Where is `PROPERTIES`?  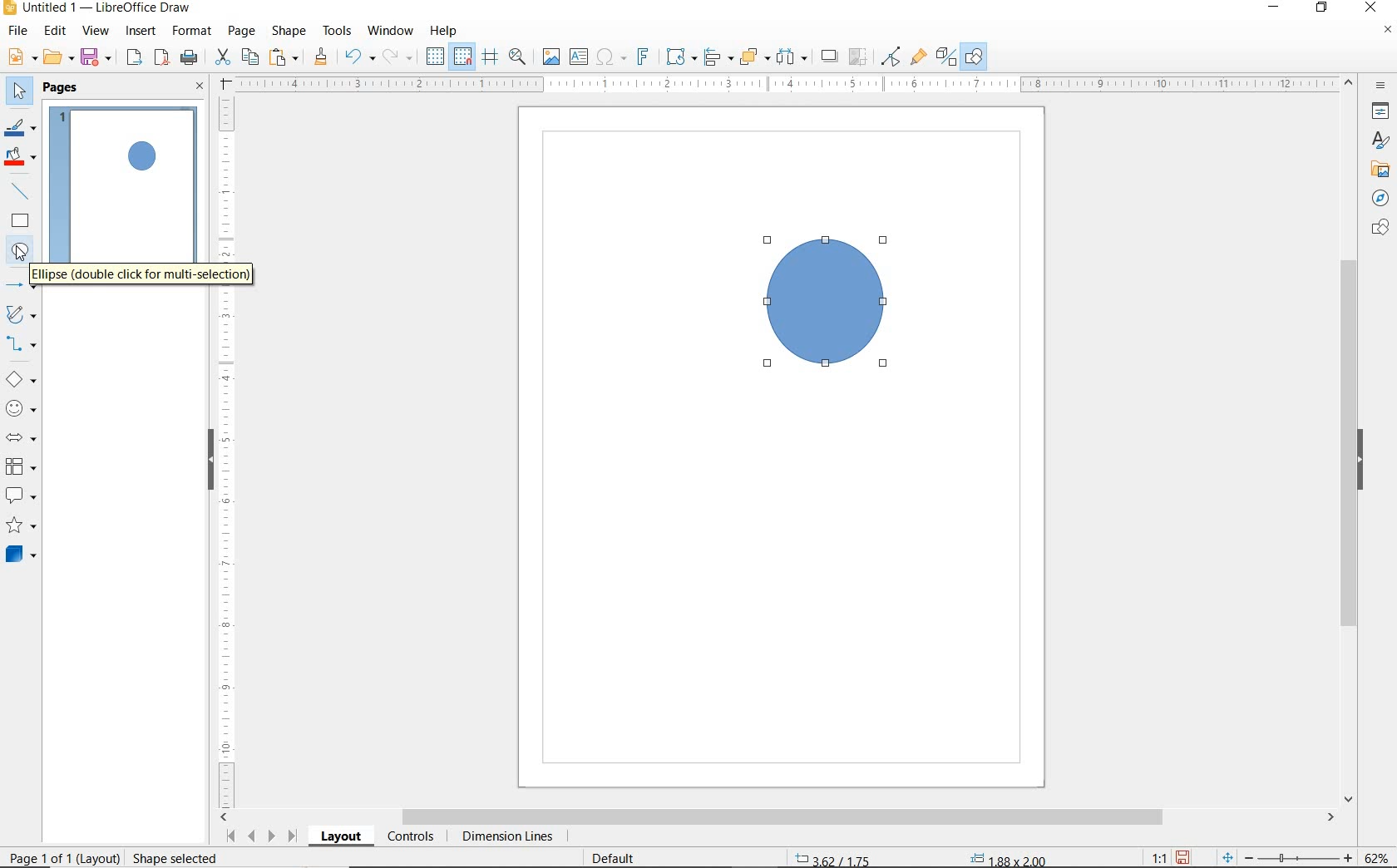 PROPERTIES is located at coordinates (1383, 114).